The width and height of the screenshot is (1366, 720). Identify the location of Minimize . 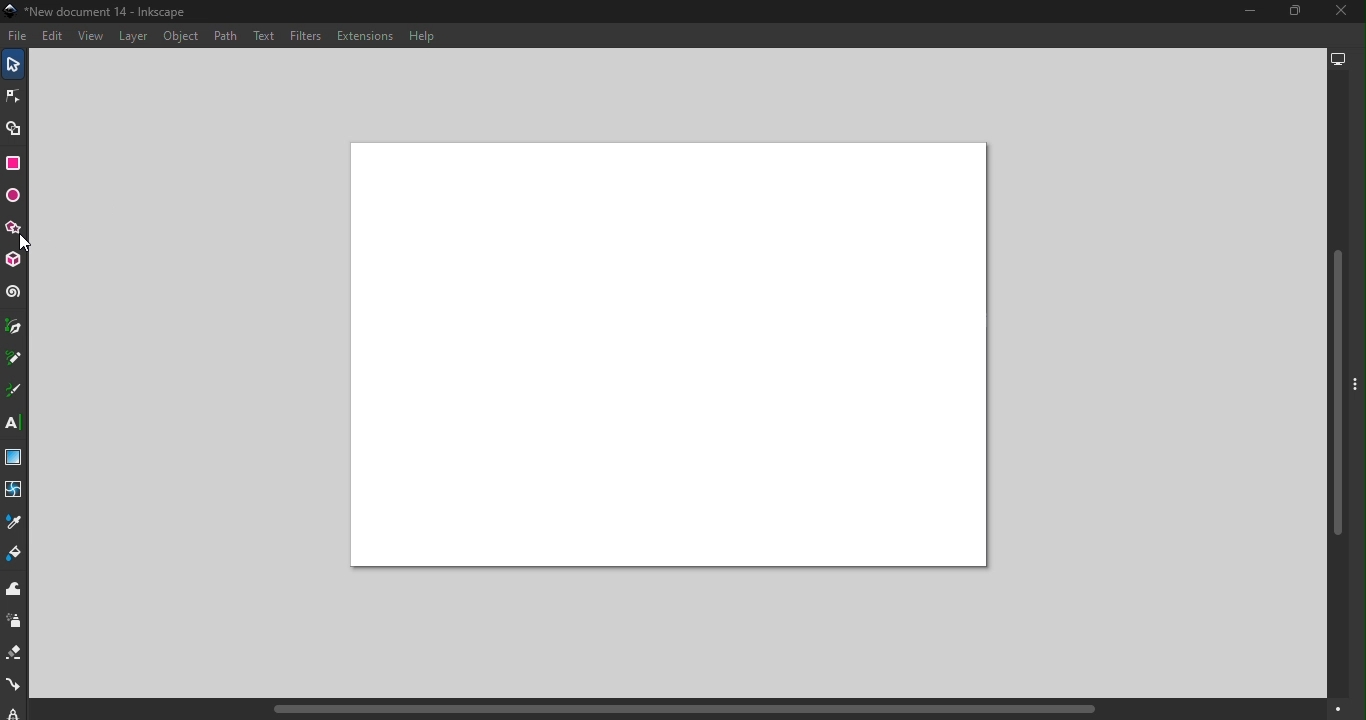
(1241, 12).